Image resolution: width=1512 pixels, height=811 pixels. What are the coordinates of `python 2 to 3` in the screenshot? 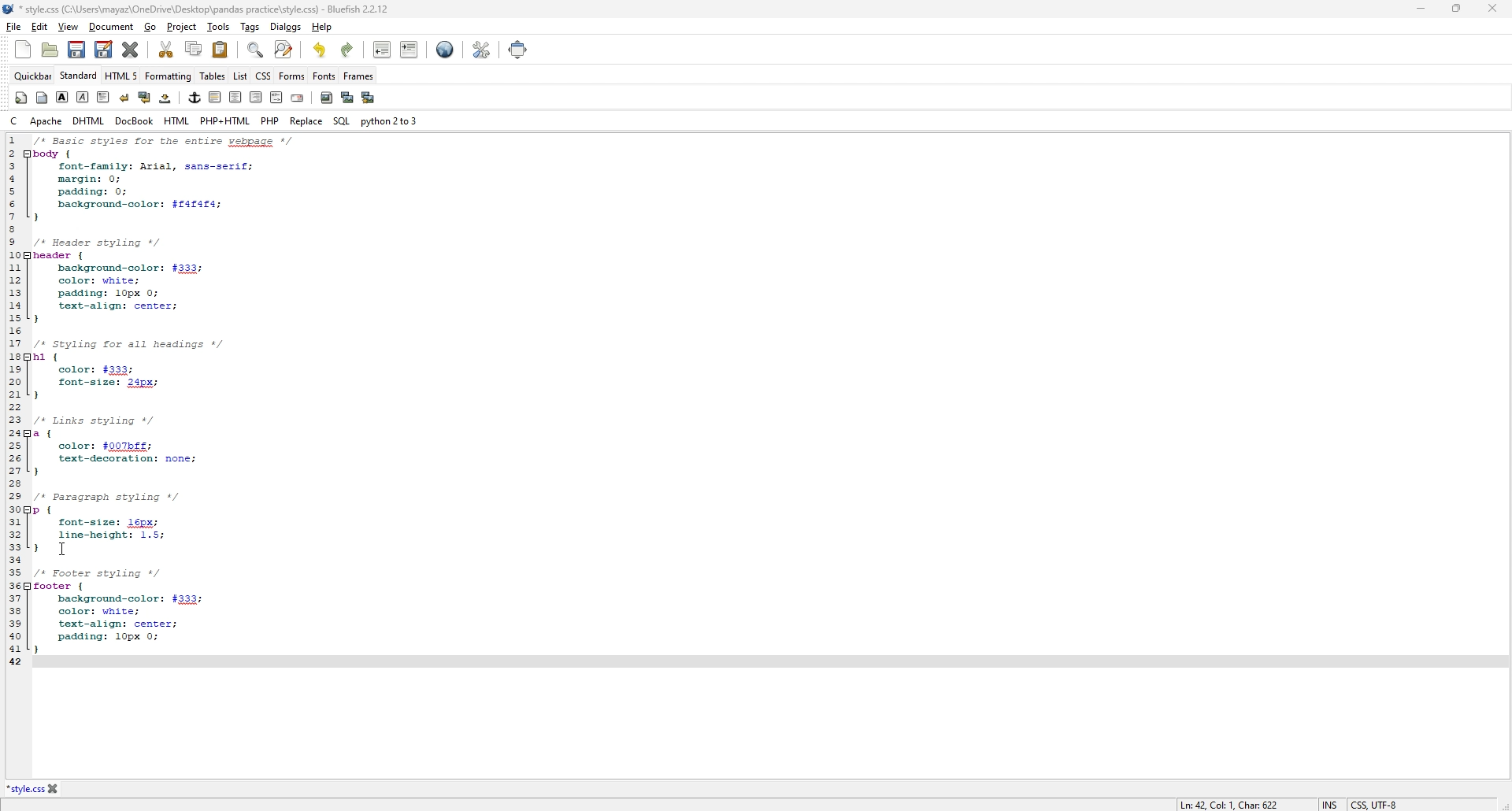 It's located at (390, 120).